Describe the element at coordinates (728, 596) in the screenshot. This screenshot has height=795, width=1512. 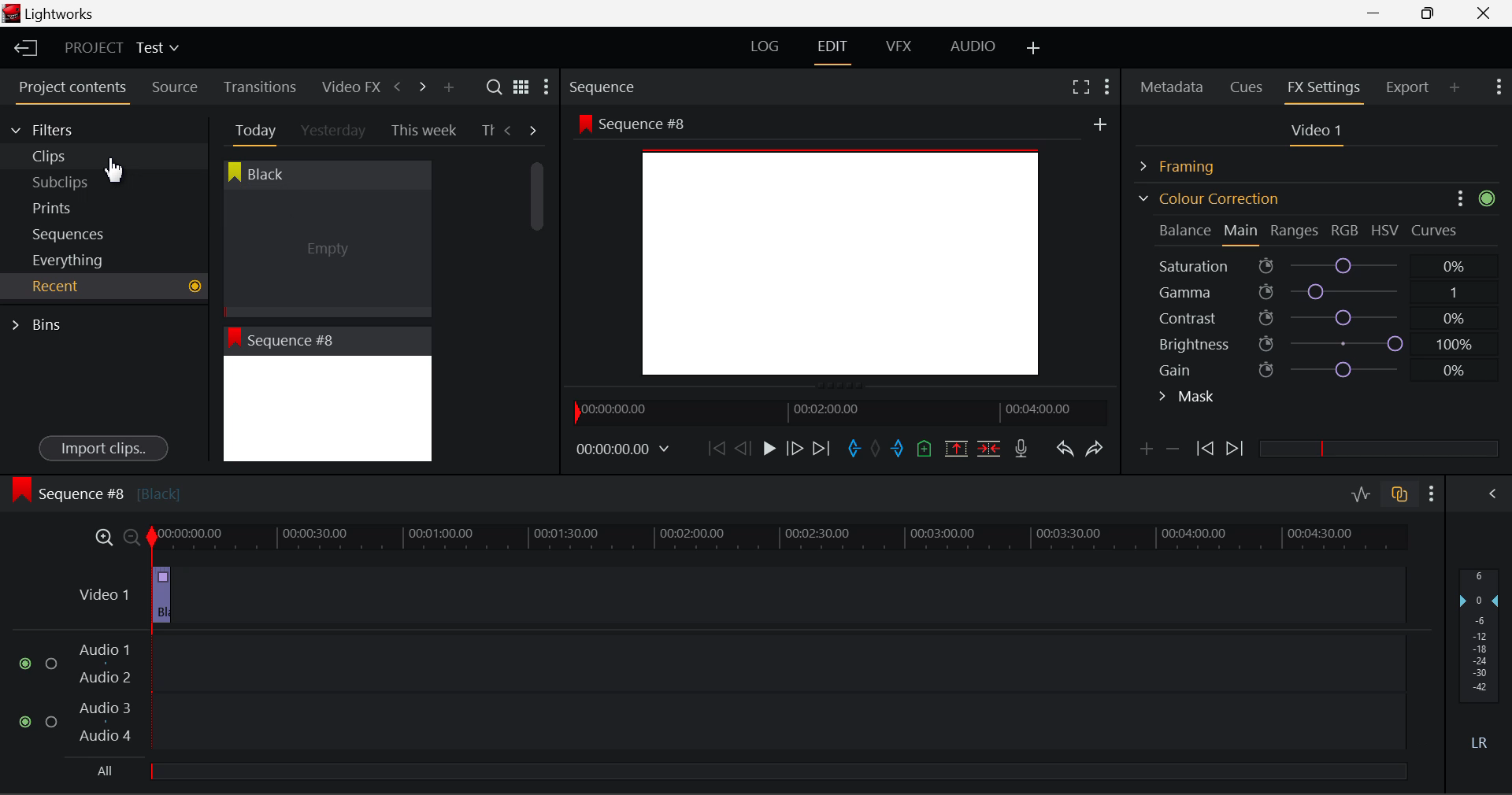
I see `Clip 2 Deleted` at that location.